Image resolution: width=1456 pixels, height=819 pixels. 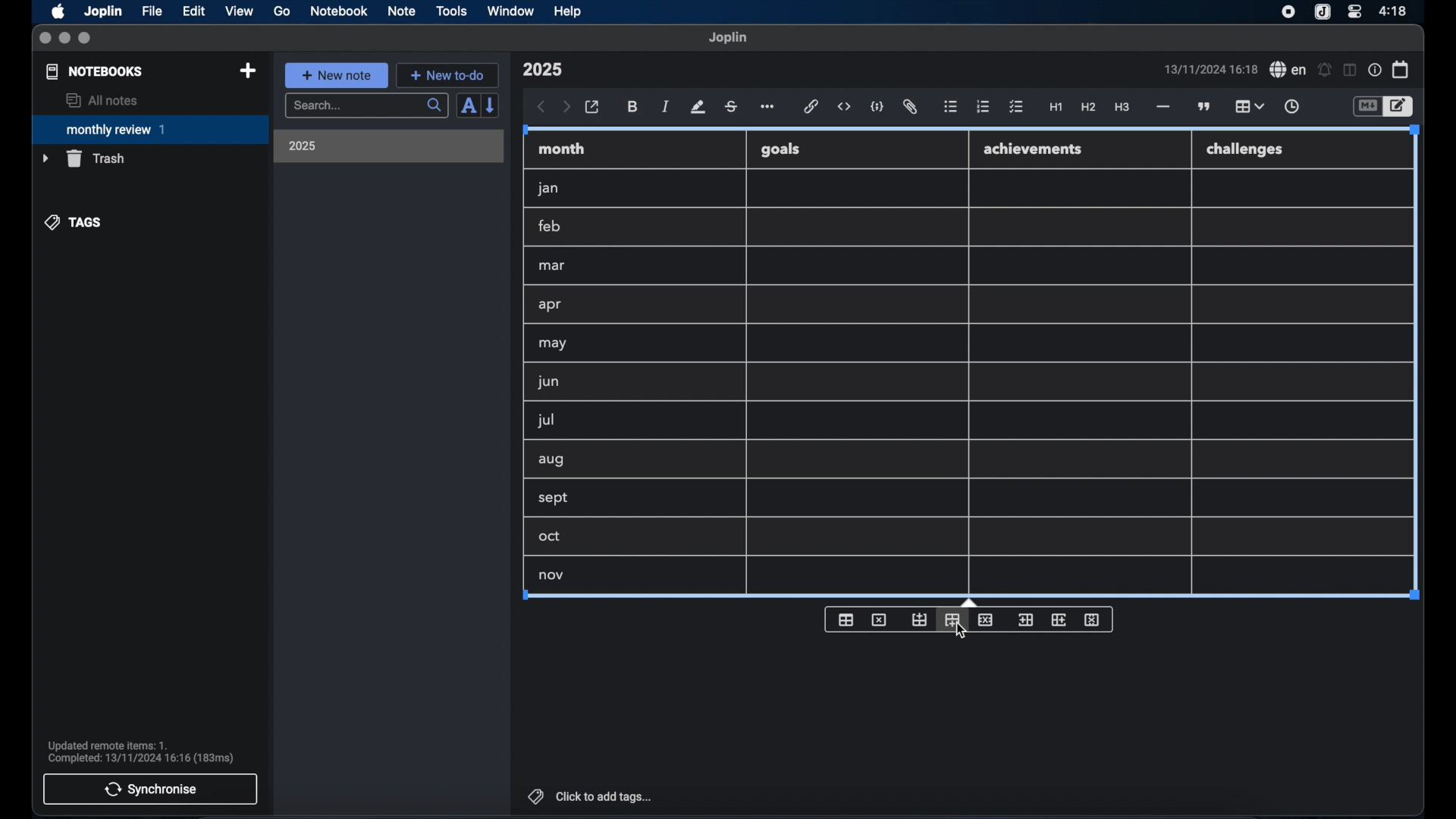 I want to click on notebook, so click(x=339, y=11).